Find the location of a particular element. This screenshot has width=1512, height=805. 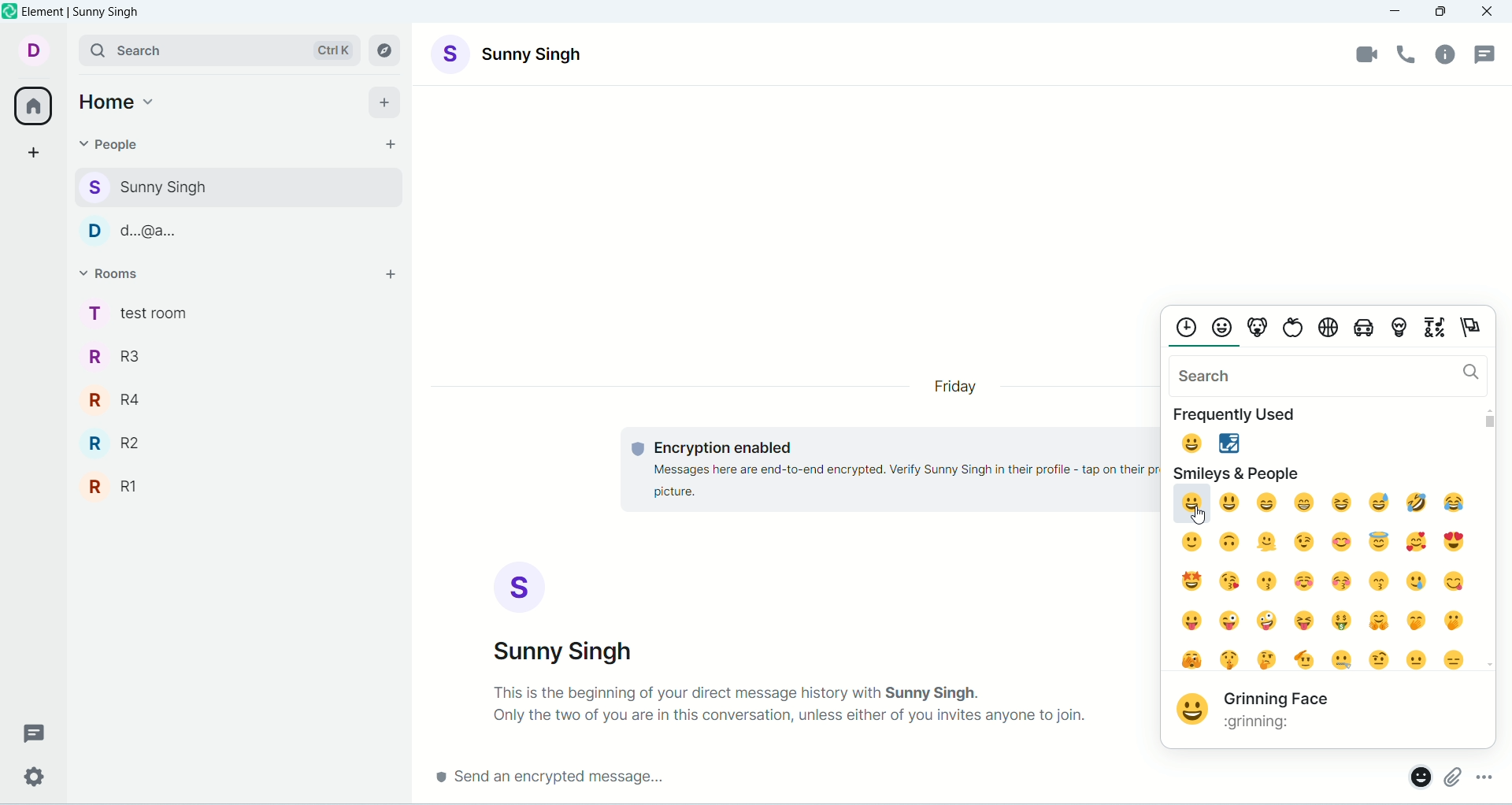

smileys and people is located at coordinates (1236, 471).